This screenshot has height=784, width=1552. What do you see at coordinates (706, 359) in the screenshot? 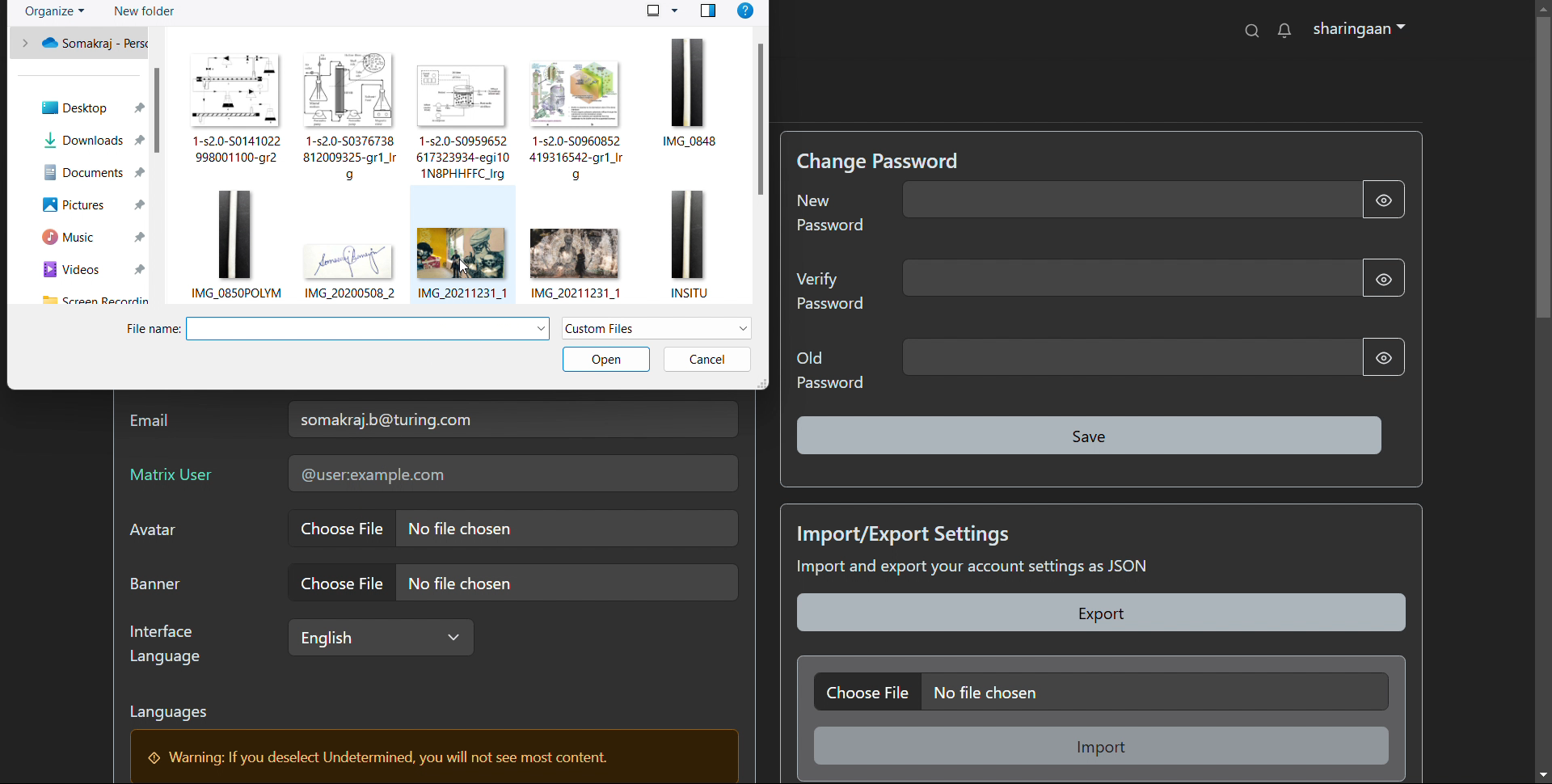
I see `cancel` at bounding box center [706, 359].